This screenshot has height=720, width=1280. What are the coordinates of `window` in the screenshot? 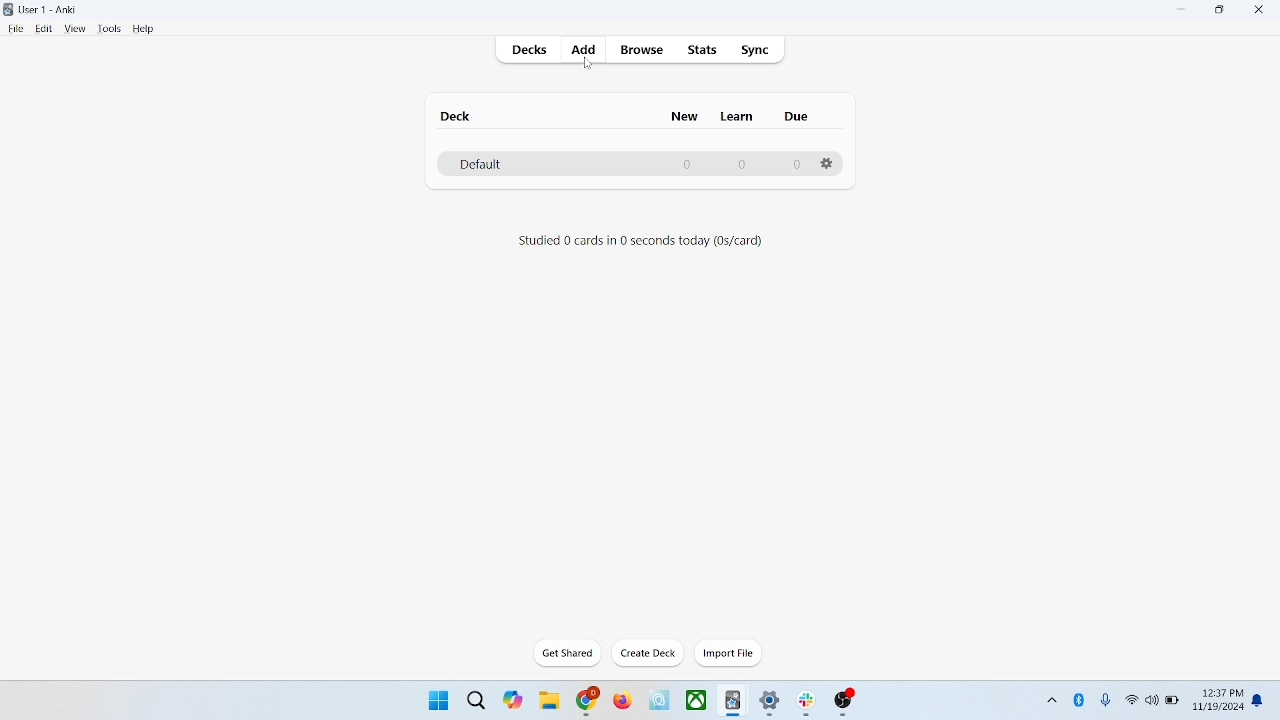 It's located at (436, 699).